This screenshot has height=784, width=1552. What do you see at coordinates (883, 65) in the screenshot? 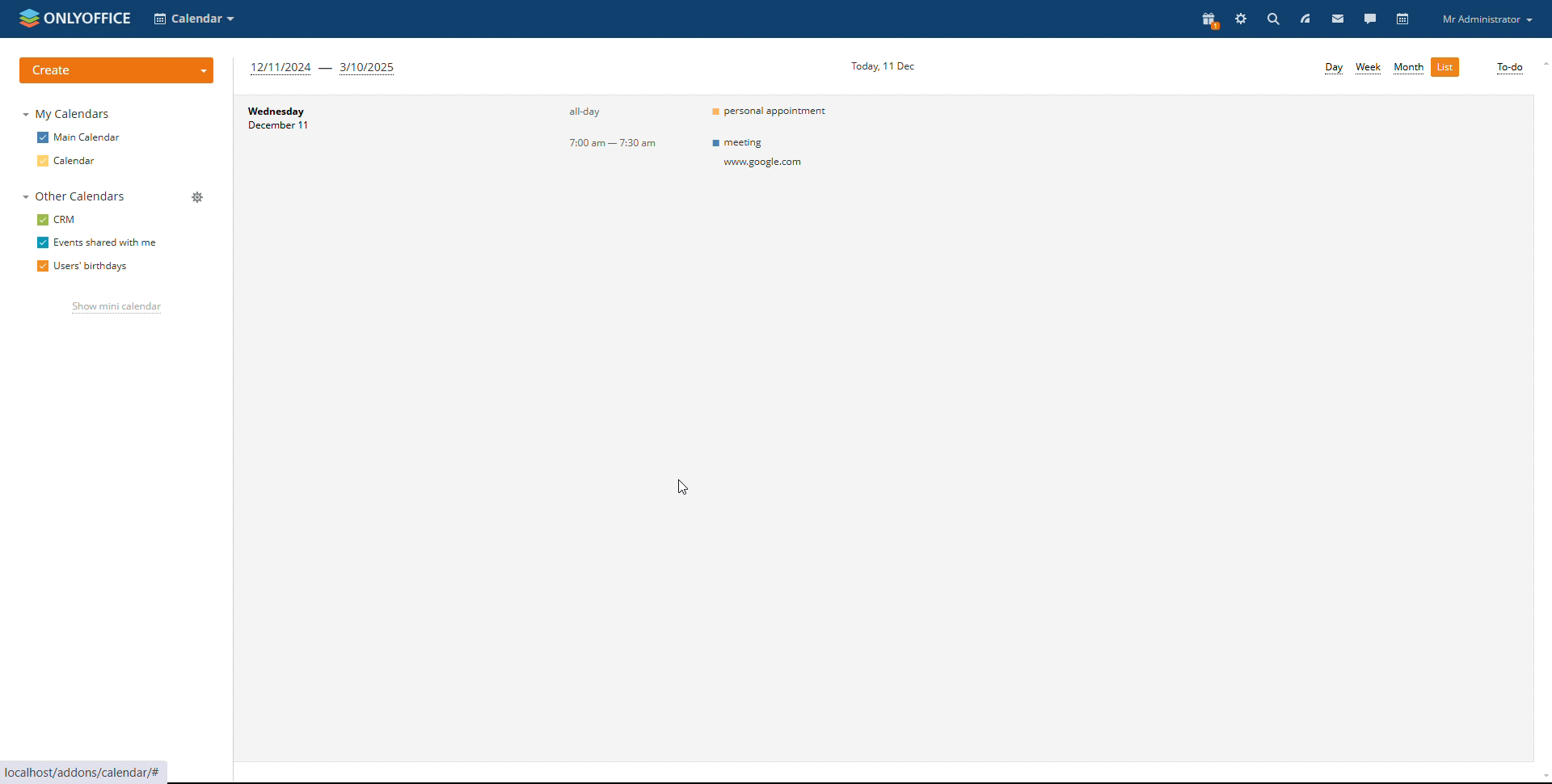
I see `current date` at bounding box center [883, 65].